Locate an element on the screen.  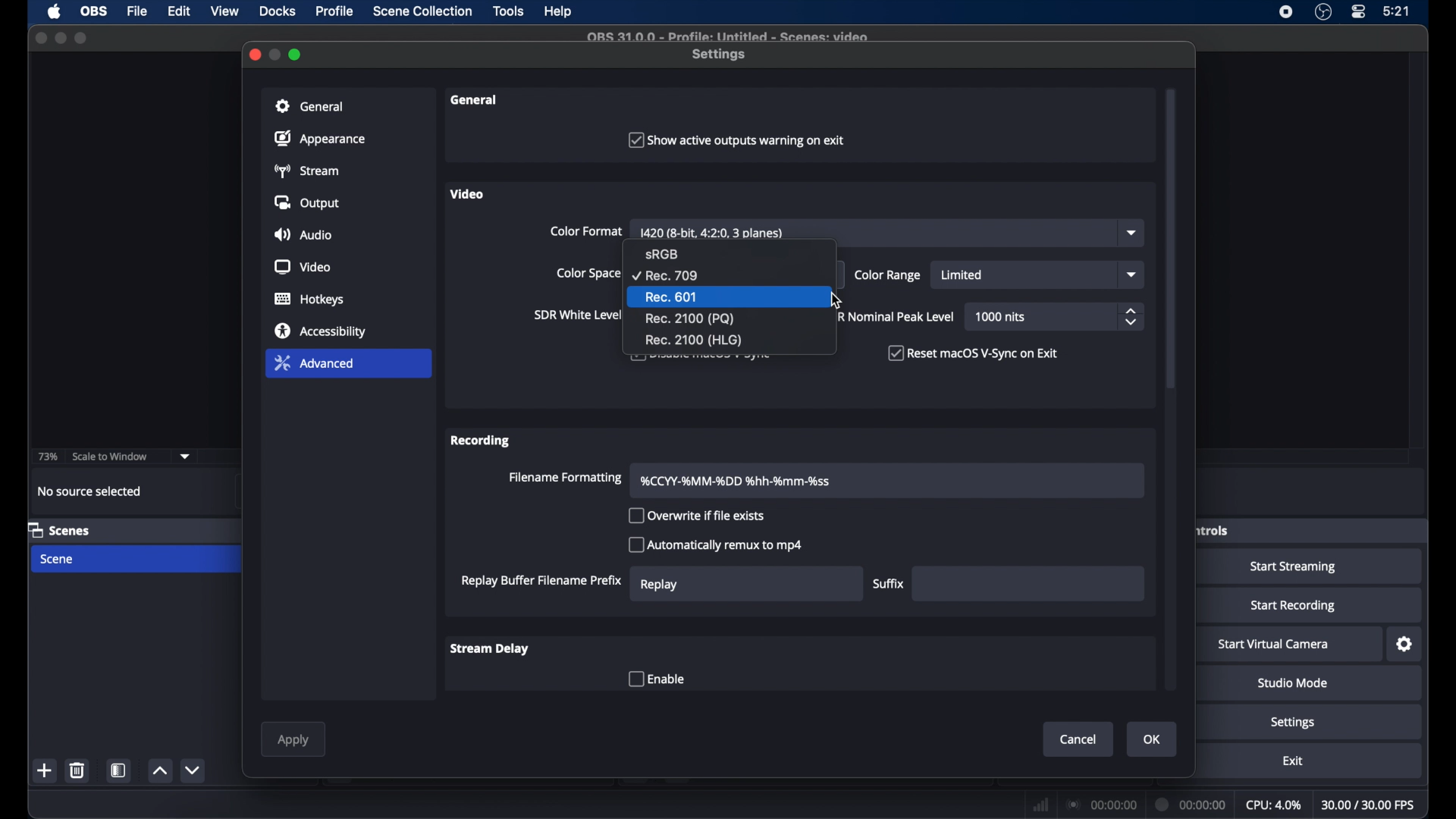
audio is located at coordinates (303, 235).